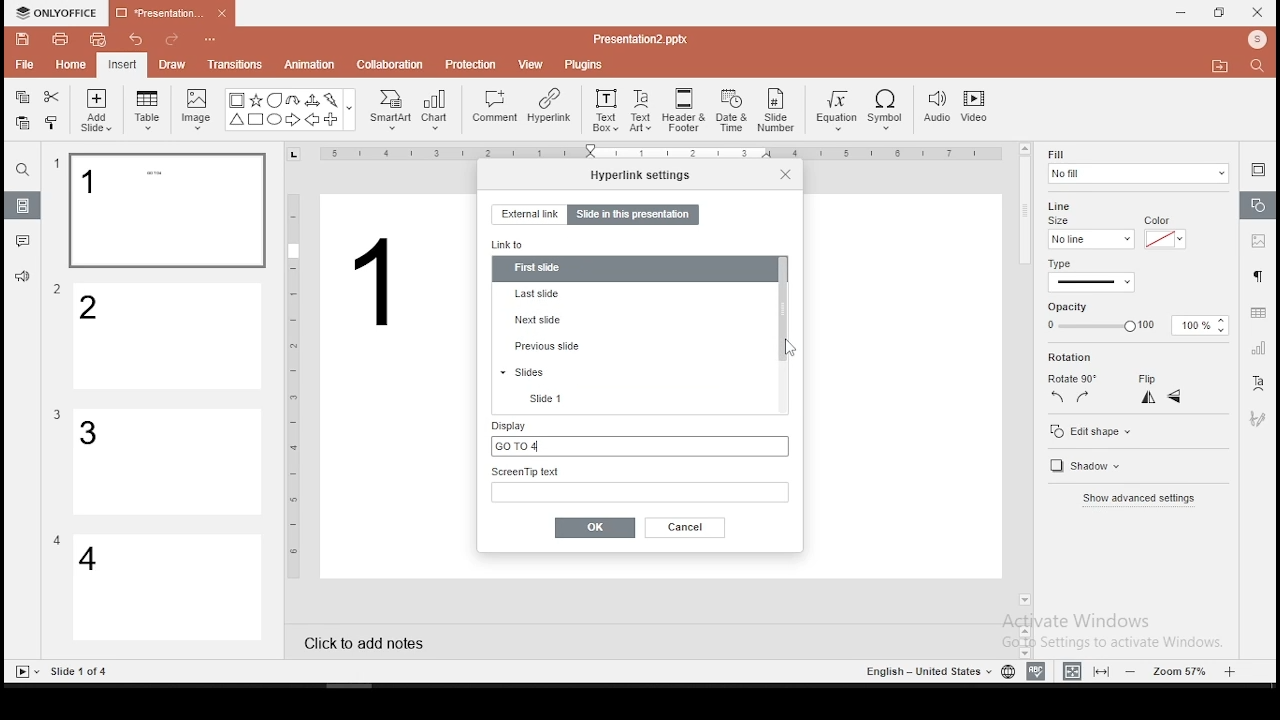 The height and width of the screenshot is (720, 1280). What do you see at coordinates (169, 337) in the screenshot?
I see `slide 2` at bounding box center [169, 337].